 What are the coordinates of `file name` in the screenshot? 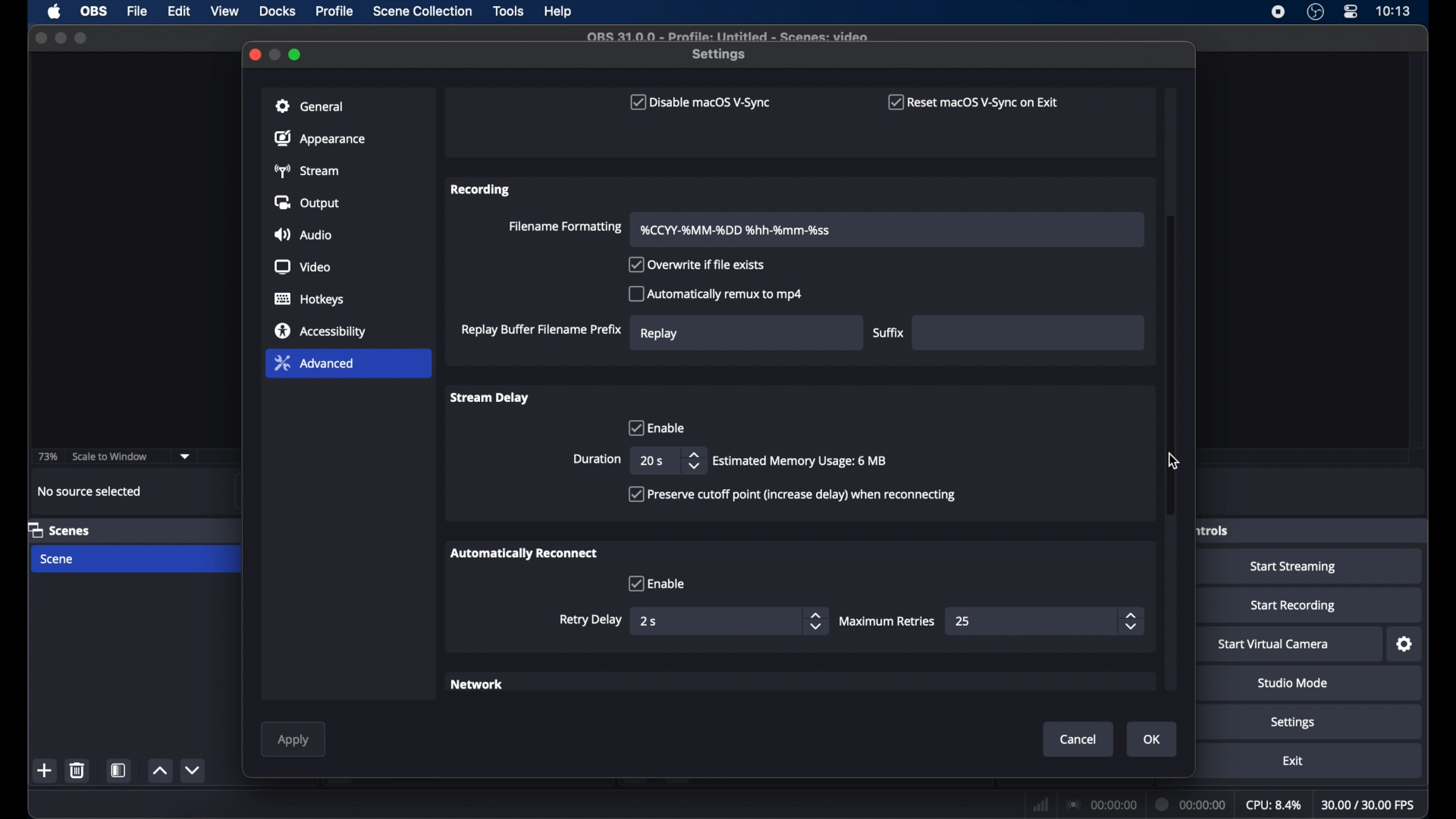 It's located at (726, 35).